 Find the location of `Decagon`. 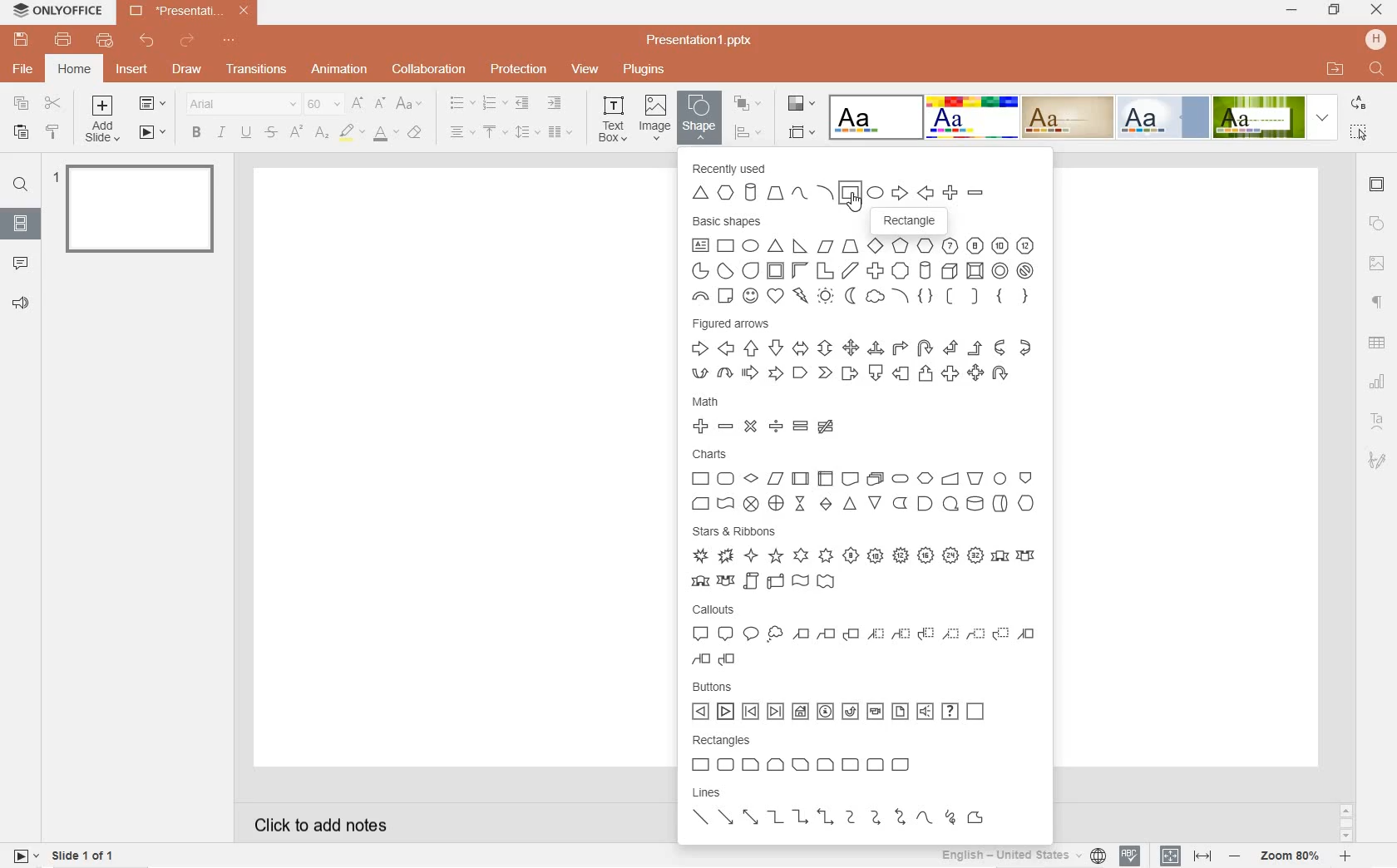

Decagon is located at coordinates (1000, 247).